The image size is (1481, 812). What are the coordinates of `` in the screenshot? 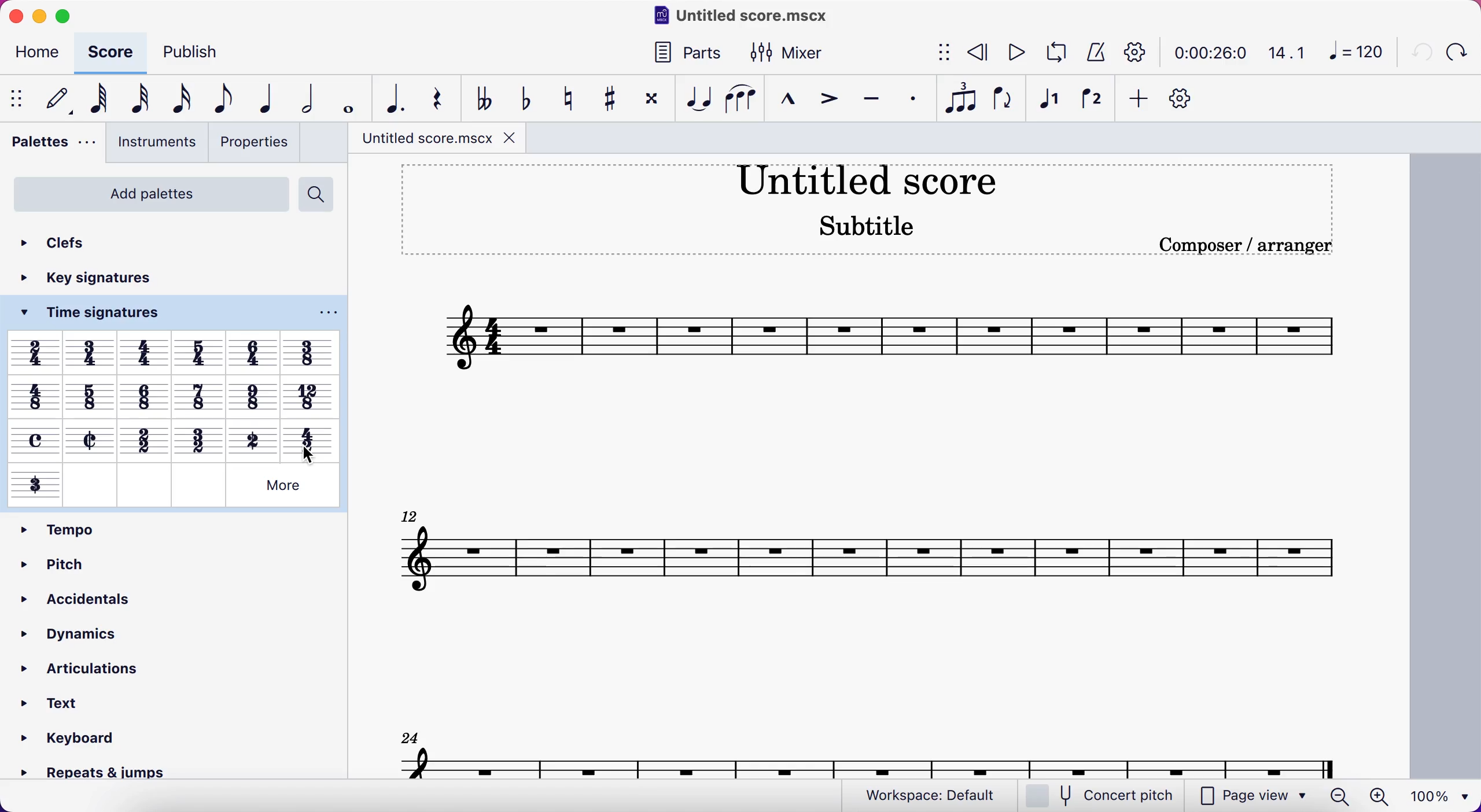 It's located at (91, 485).